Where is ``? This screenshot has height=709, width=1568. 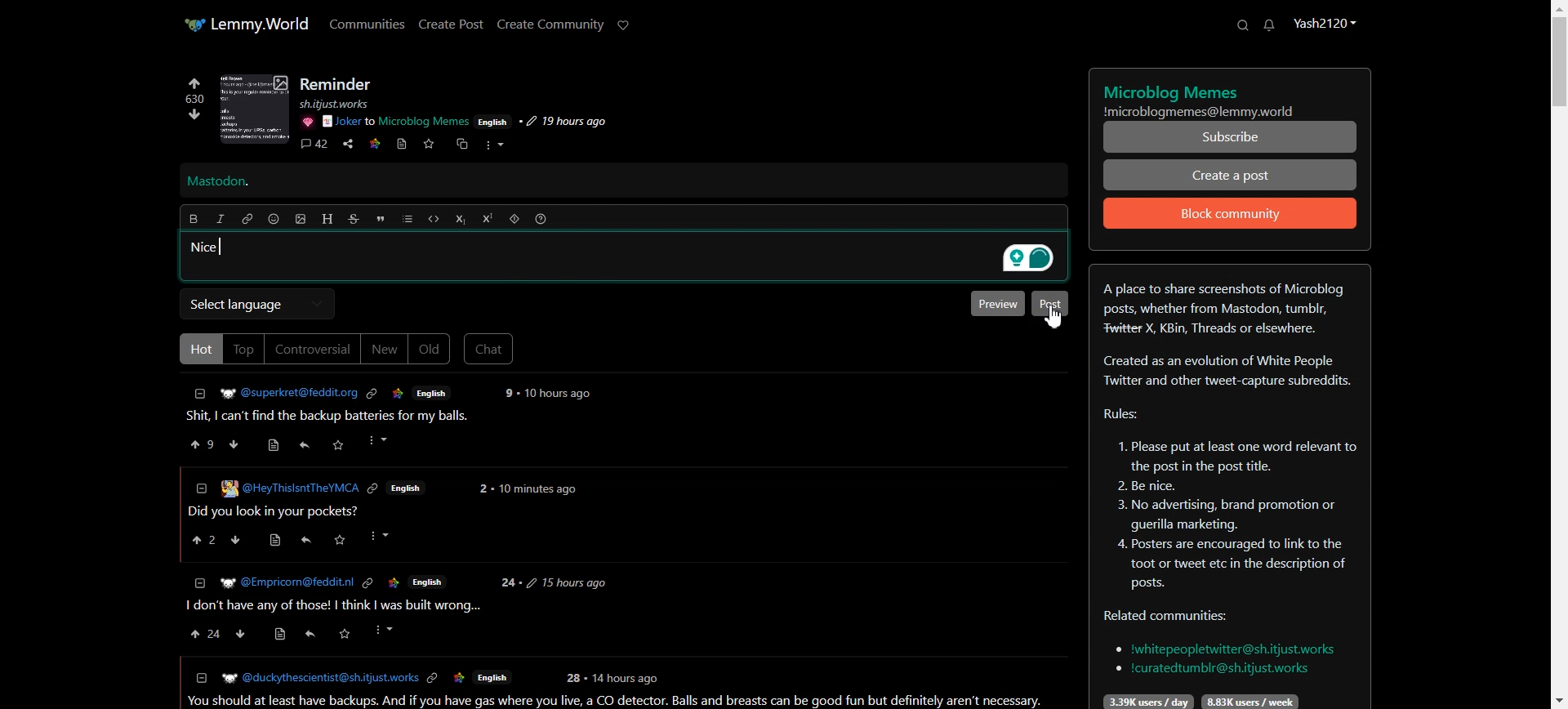  is located at coordinates (493, 121).